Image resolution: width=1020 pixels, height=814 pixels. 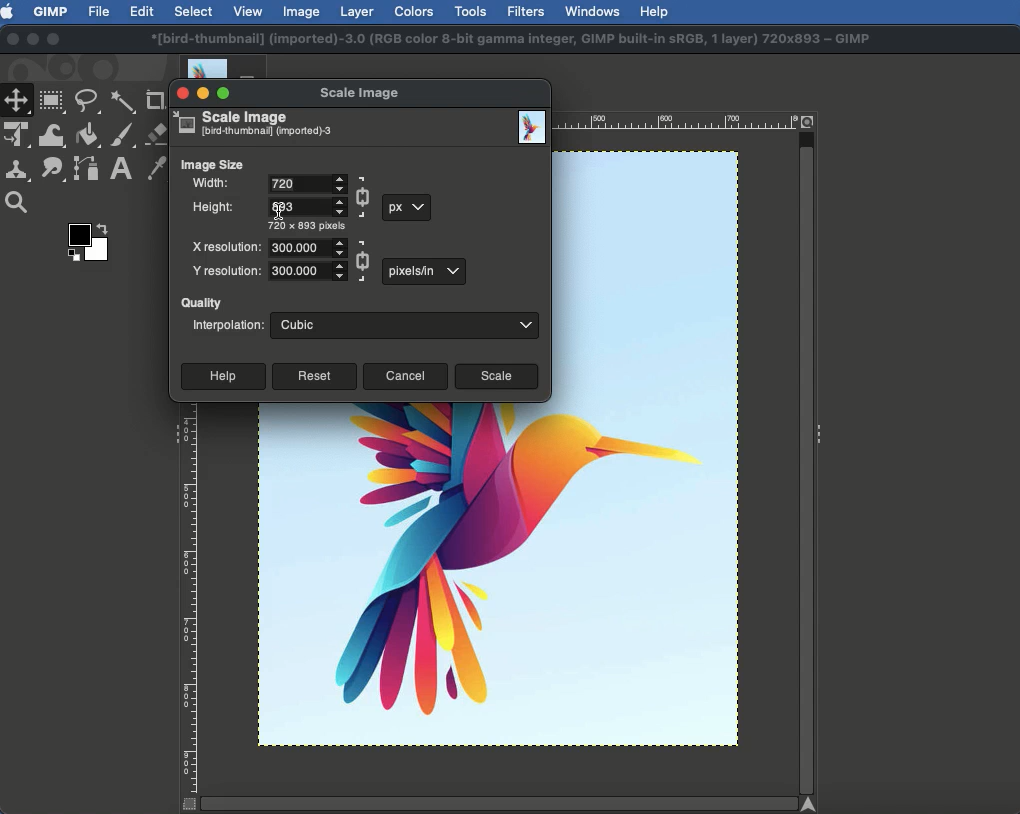 What do you see at coordinates (511, 36) in the screenshot?
I see `*[bird-thumbnail] (imported)-3.0 (RGB color 8-bit gamma integer. GIMP built-in SRGB. 1 layer) 720x893 ~ GIMP` at bounding box center [511, 36].